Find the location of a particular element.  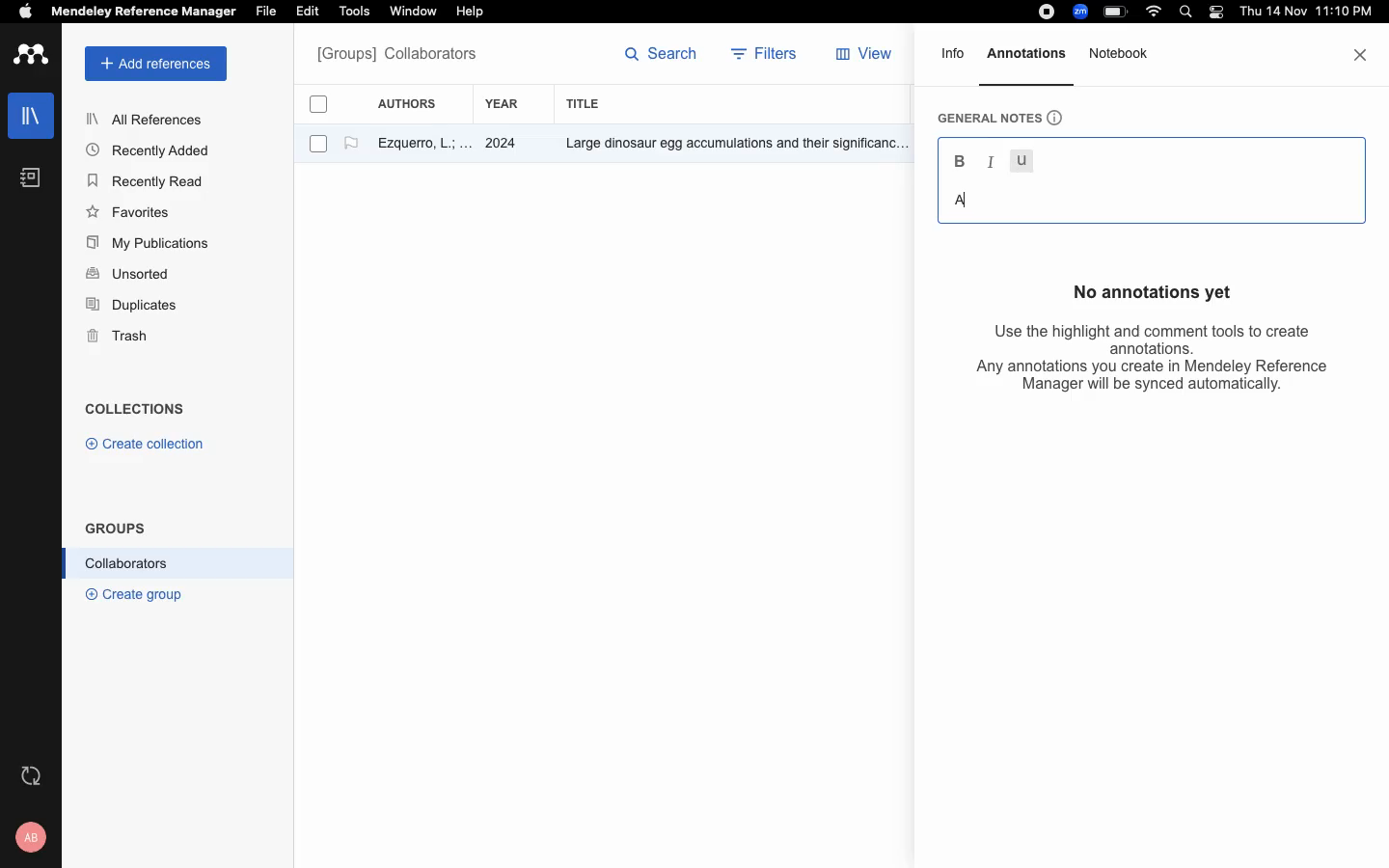

italic is located at coordinates (990, 159).